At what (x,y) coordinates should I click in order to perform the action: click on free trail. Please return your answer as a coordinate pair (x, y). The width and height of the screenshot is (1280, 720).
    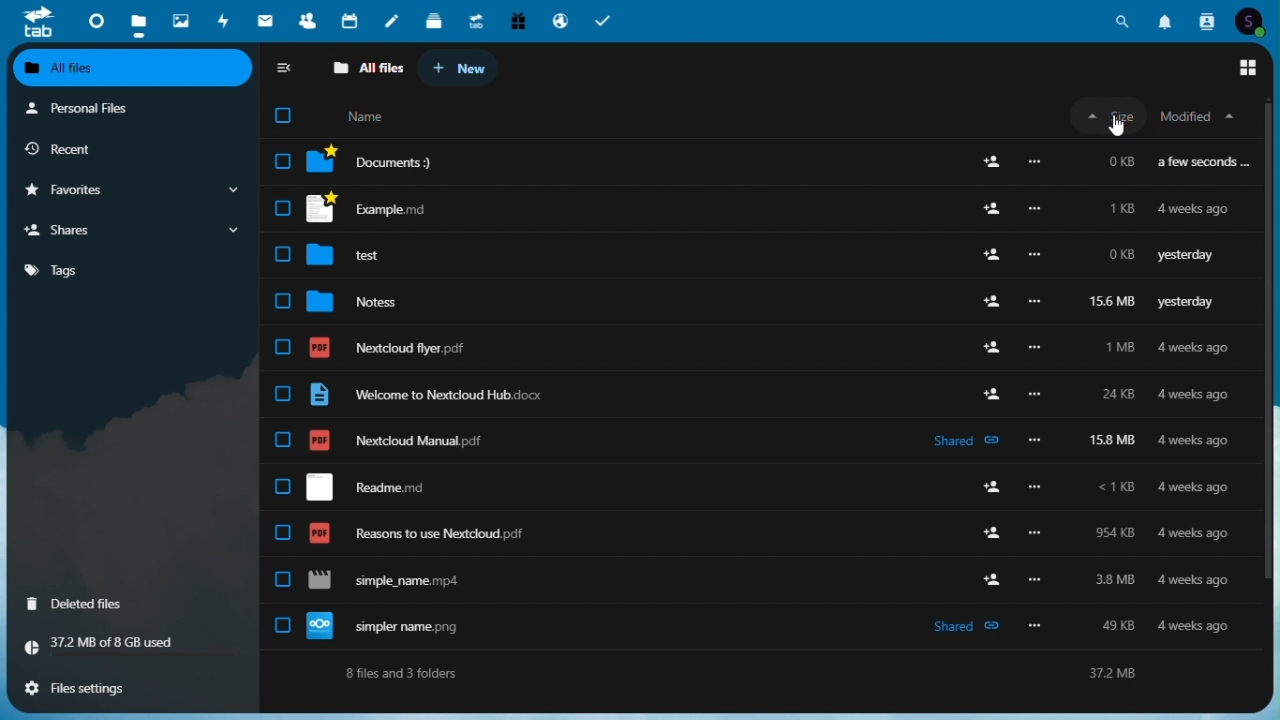
    Looking at the image, I should click on (517, 20).